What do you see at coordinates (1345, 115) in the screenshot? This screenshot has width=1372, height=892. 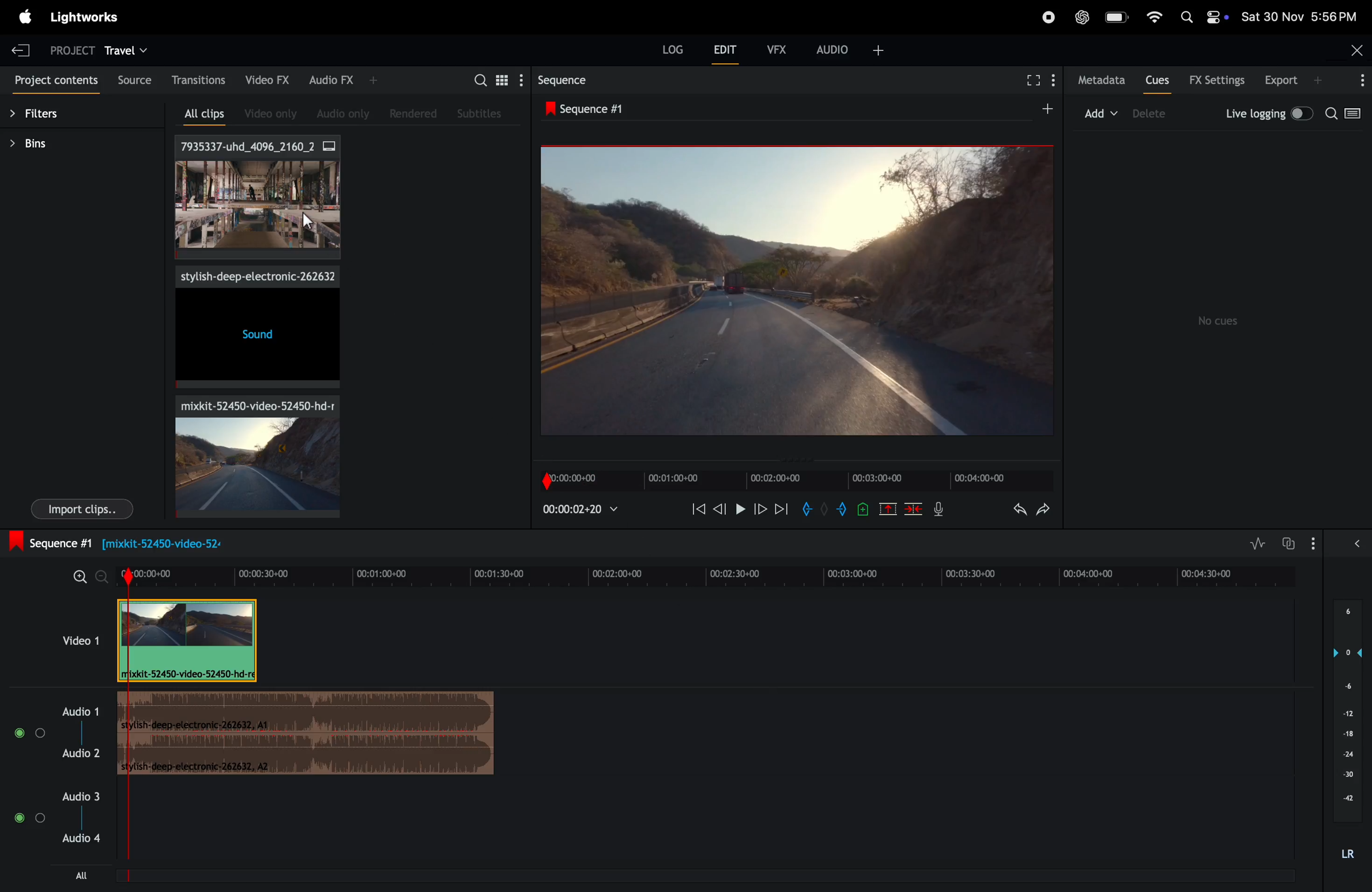 I see `search` at bounding box center [1345, 115].